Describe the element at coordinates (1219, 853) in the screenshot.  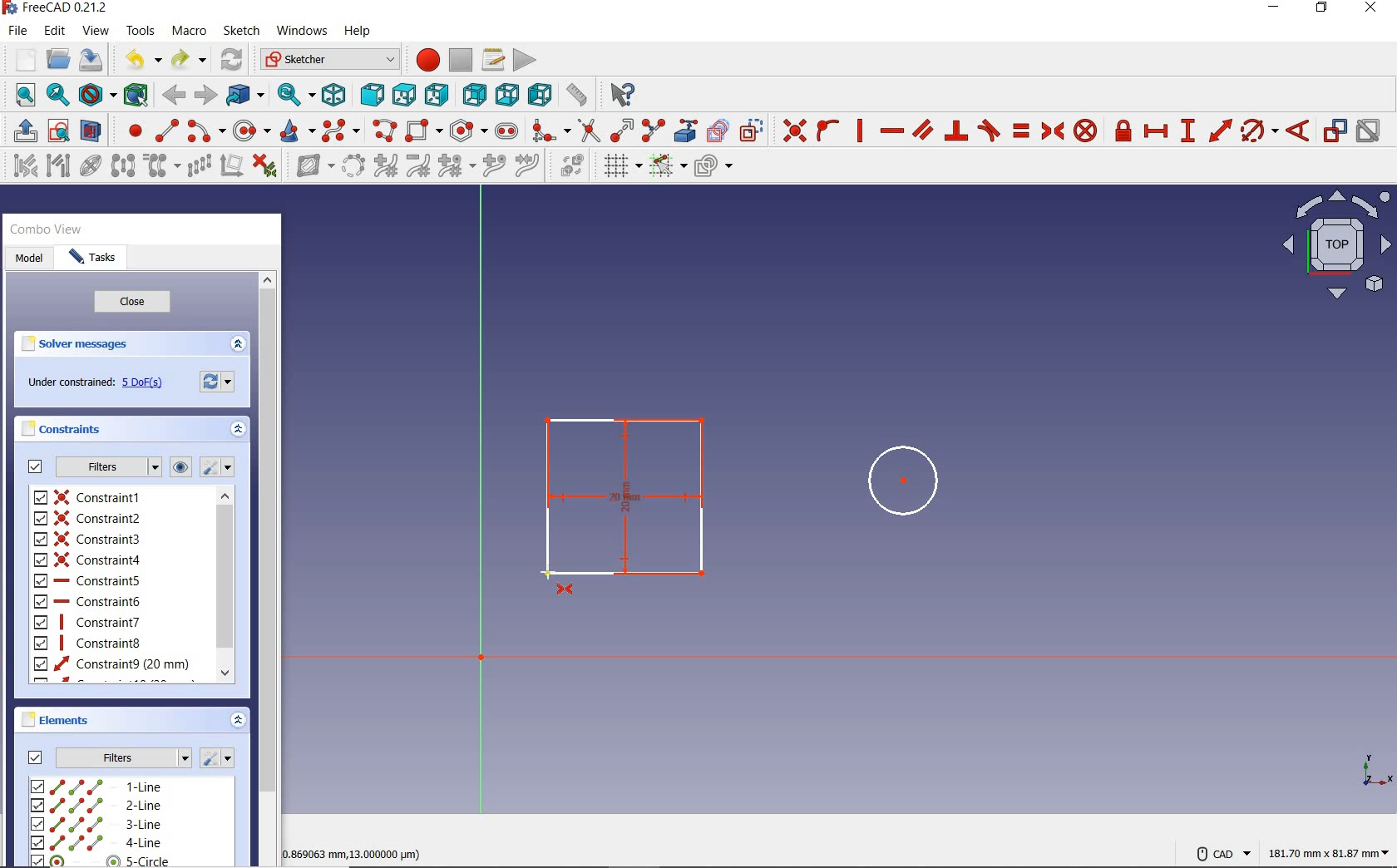
I see `CAD ` at that location.